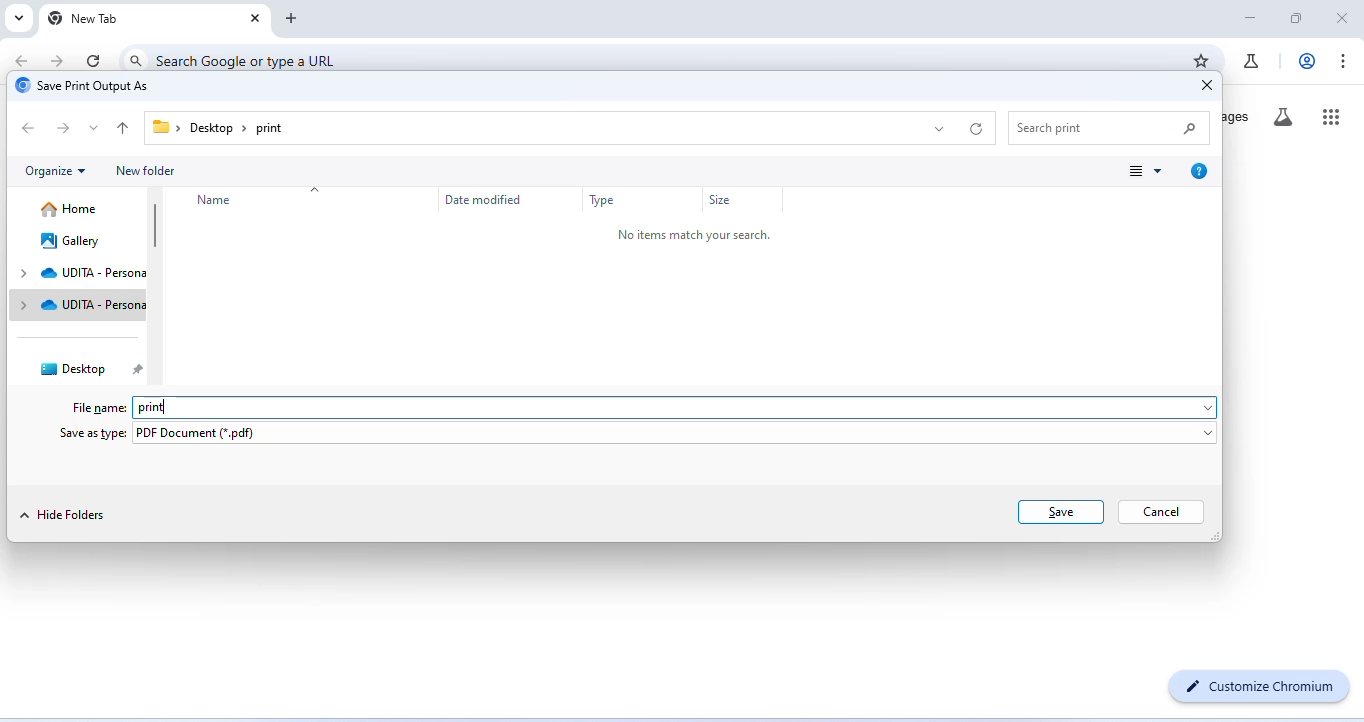 This screenshot has height=722, width=1364. What do you see at coordinates (1163, 512) in the screenshot?
I see `cancel` at bounding box center [1163, 512].